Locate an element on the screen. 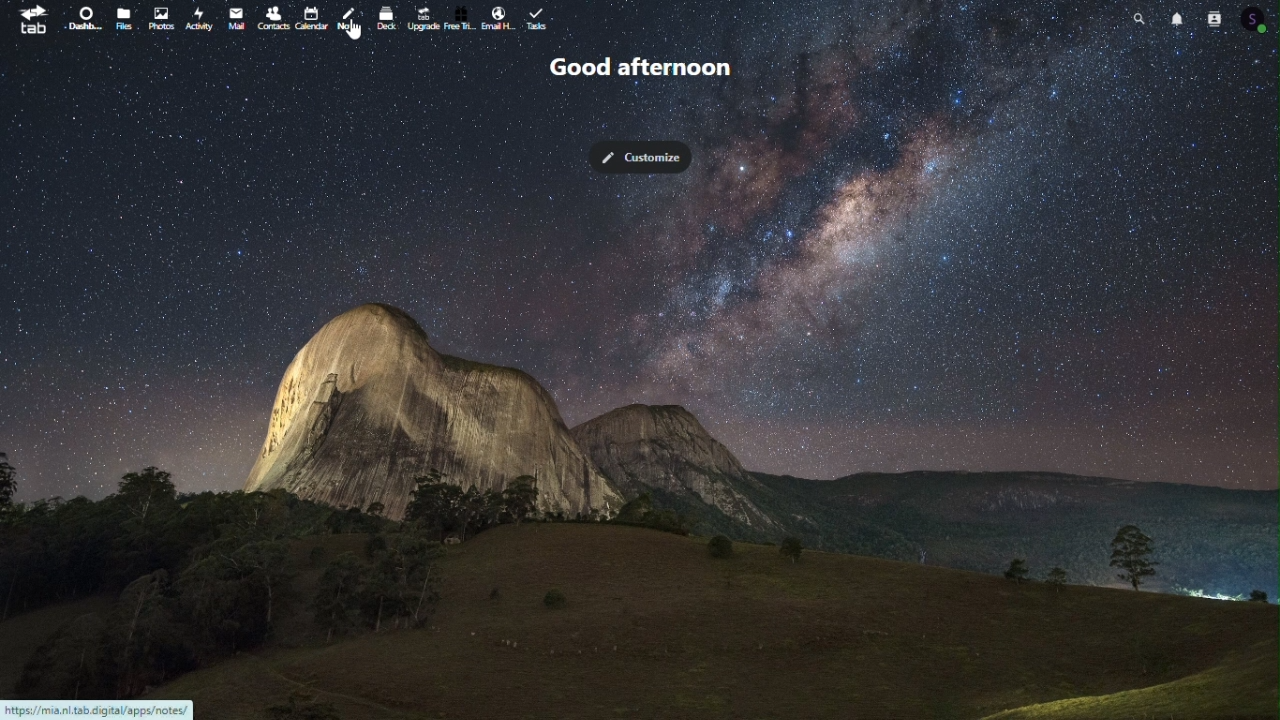  free trial is located at coordinates (459, 22).